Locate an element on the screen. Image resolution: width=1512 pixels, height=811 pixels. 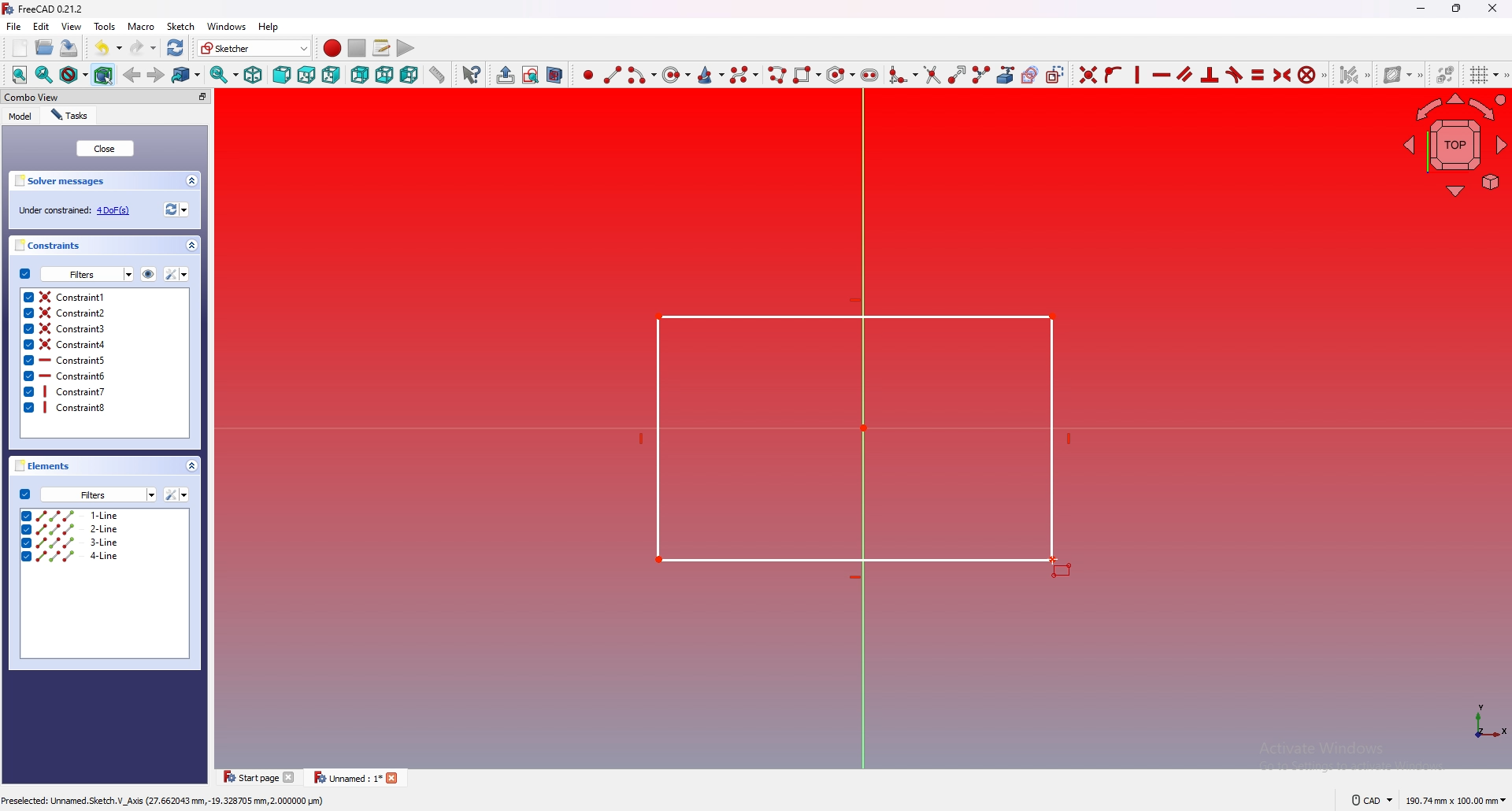
synced view is located at coordinates (225, 75).